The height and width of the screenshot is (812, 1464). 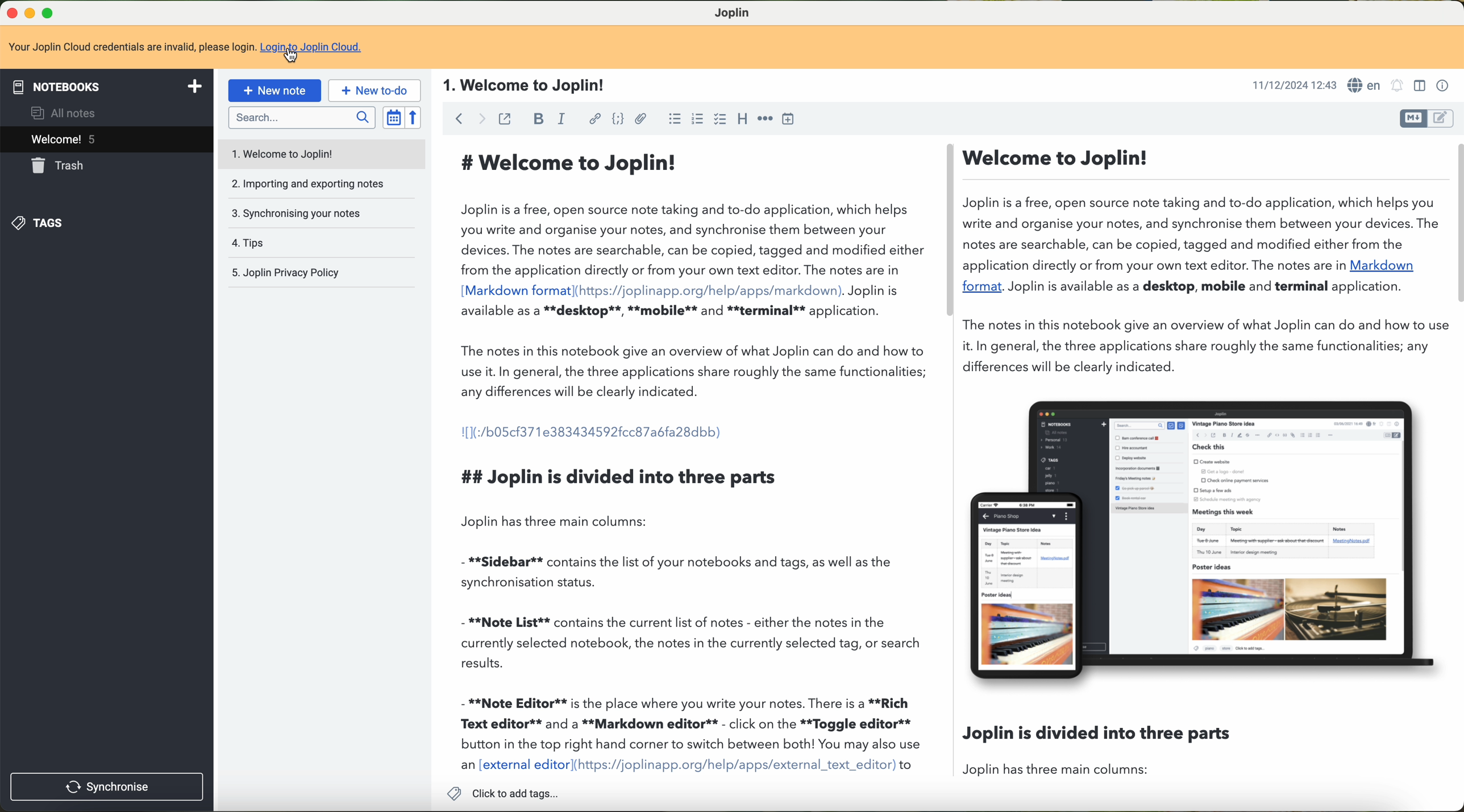 I want to click on new note, so click(x=273, y=91).